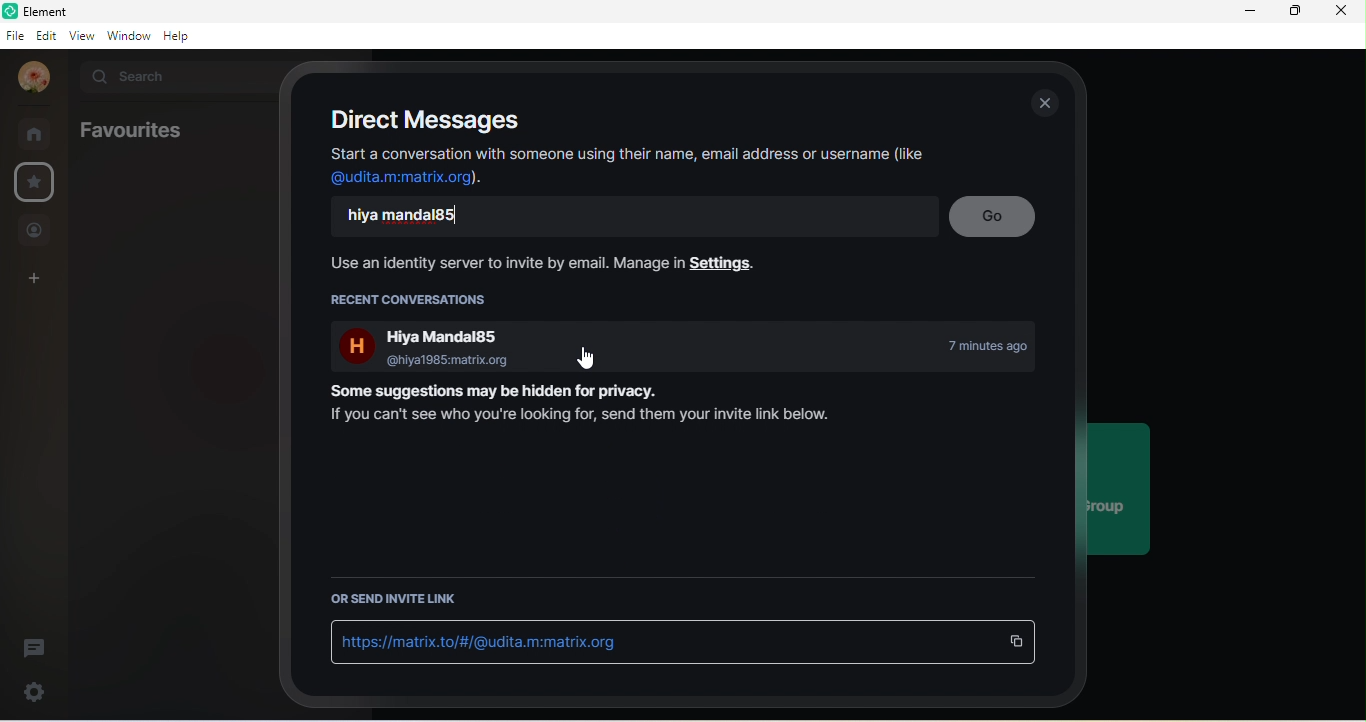  Describe the element at coordinates (38, 181) in the screenshot. I see `favourite` at that location.